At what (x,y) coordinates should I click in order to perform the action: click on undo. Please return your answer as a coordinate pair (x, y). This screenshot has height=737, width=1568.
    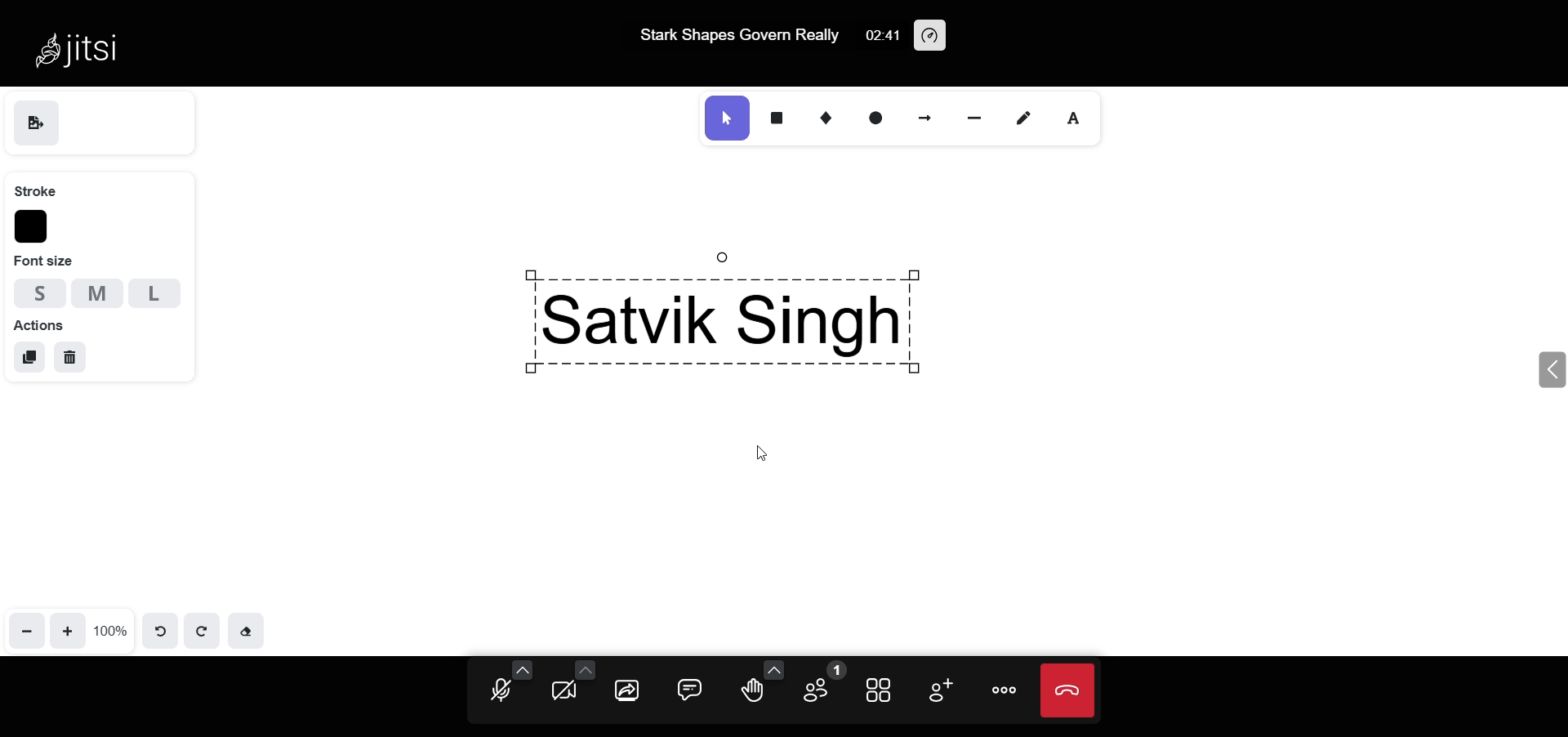
    Looking at the image, I should click on (162, 628).